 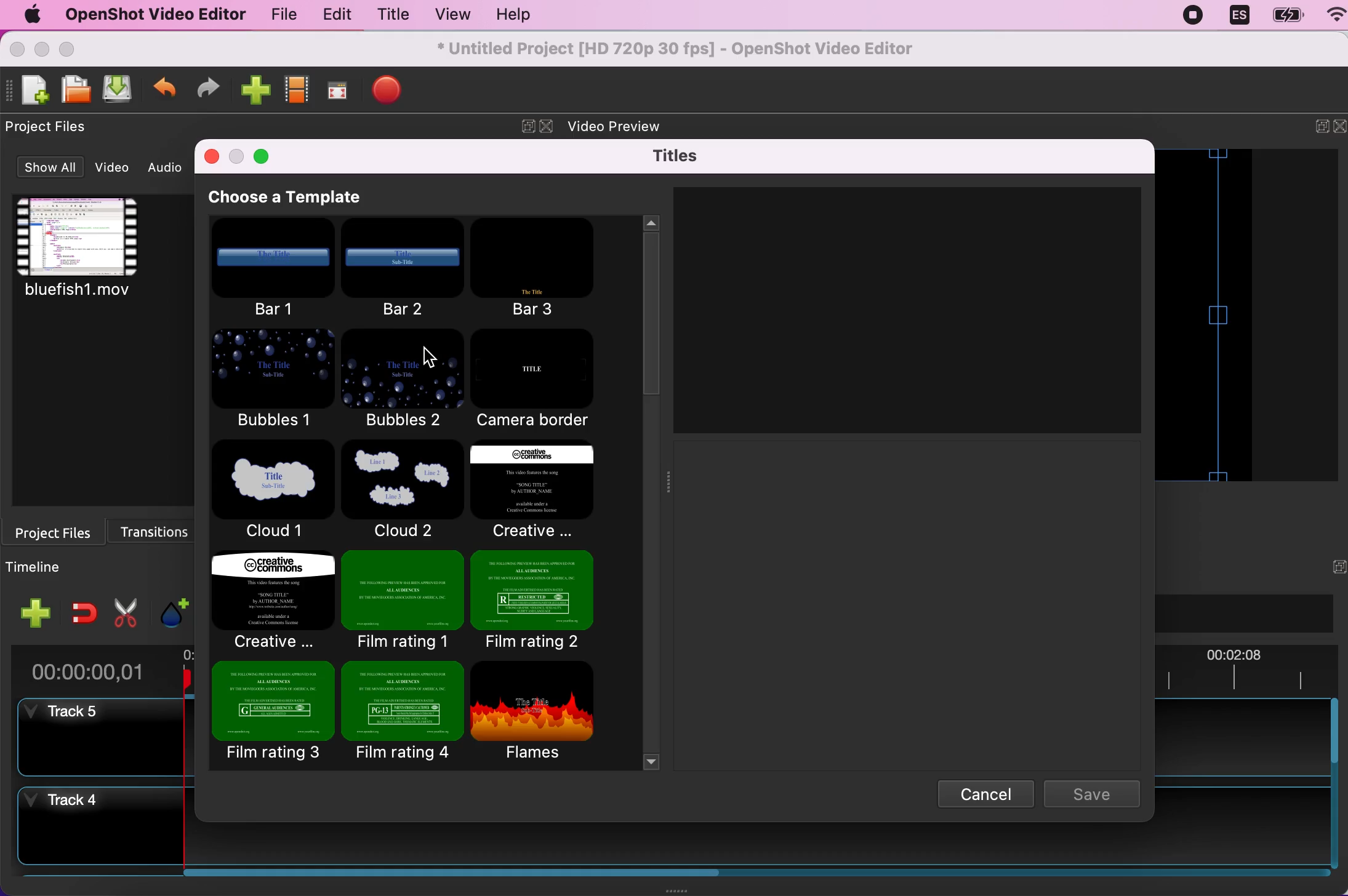 What do you see at coordinates (275, 492) in the screenshot?
I see `cloud 1` at bounding box center [275, 492].